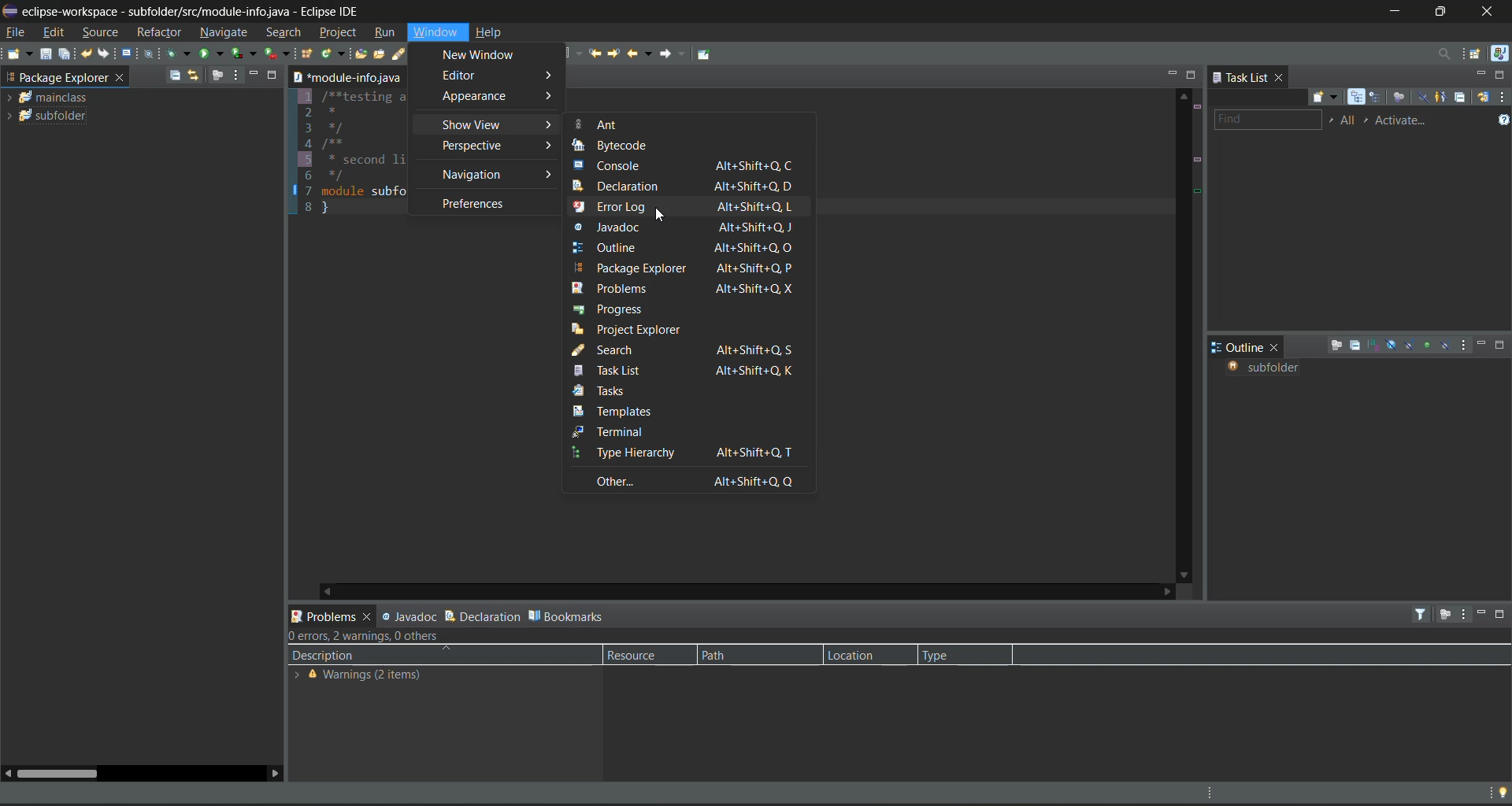  Describe the element at coordinates (1477, 55) in the screenshot. I see `open perspective` at that location.